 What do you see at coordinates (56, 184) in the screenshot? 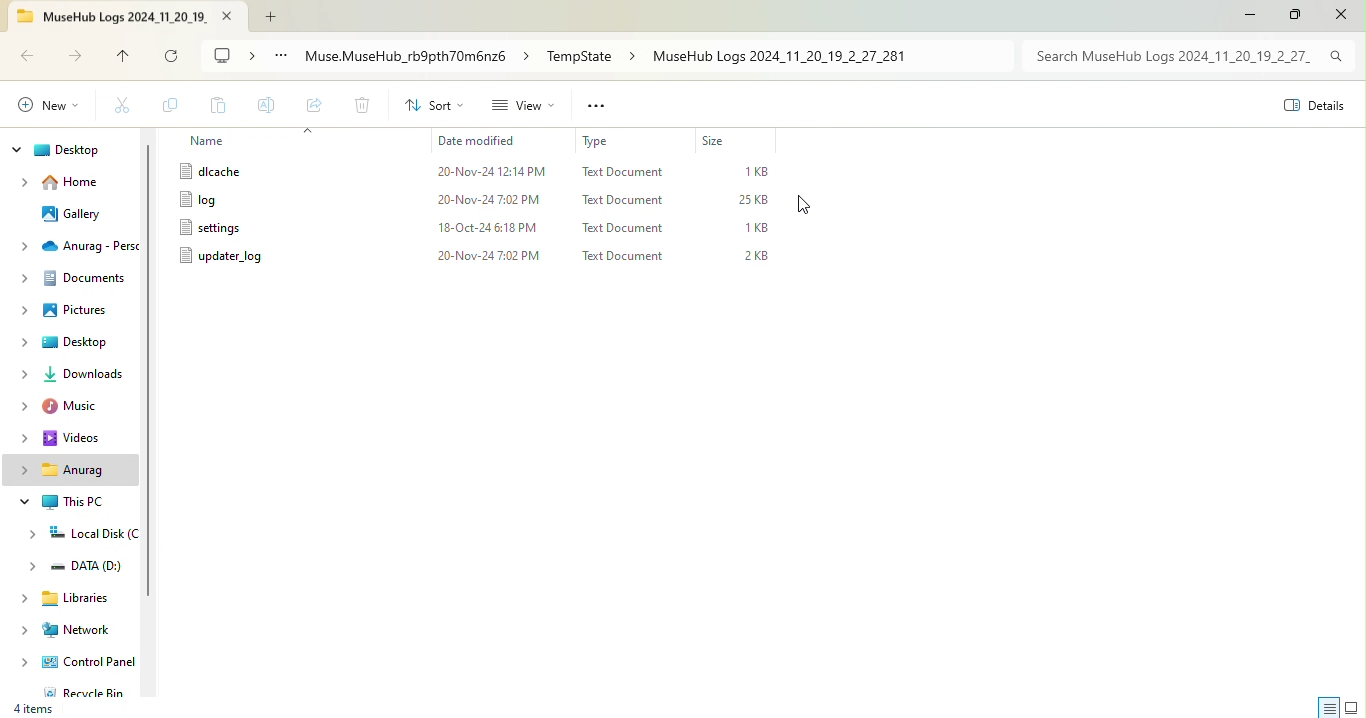
I see `Home` at bounding box center [56, 184].